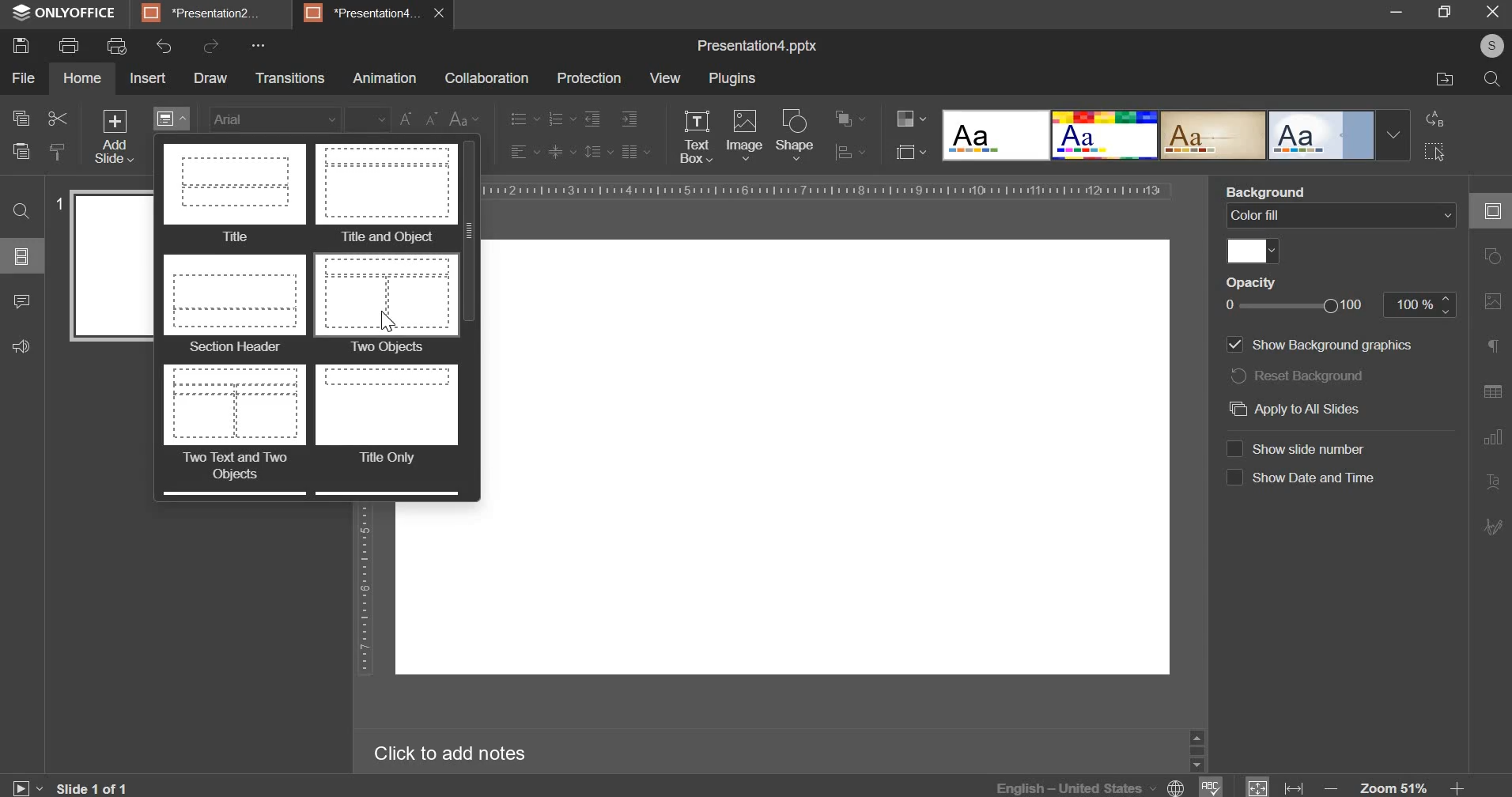 This screenshot has width=1512, height=797. Describe the element at coordinates (1491, 483) in the screenshot. I see `text art` at that location.